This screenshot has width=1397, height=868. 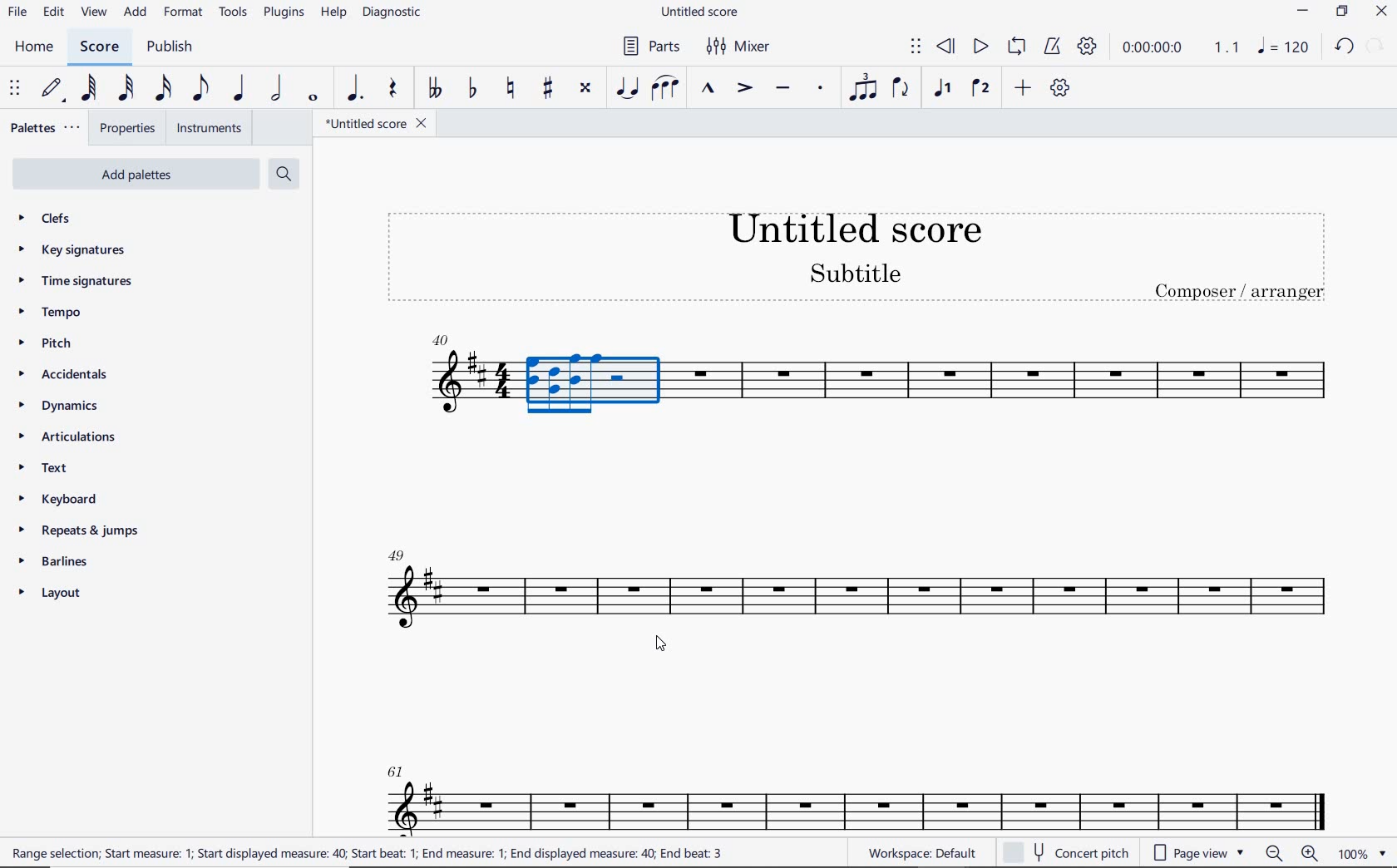 What do you see at coordinates (549, 88) in the screenshot?
I see `TOGGLE SHARP` at bounding box center [549, 88].